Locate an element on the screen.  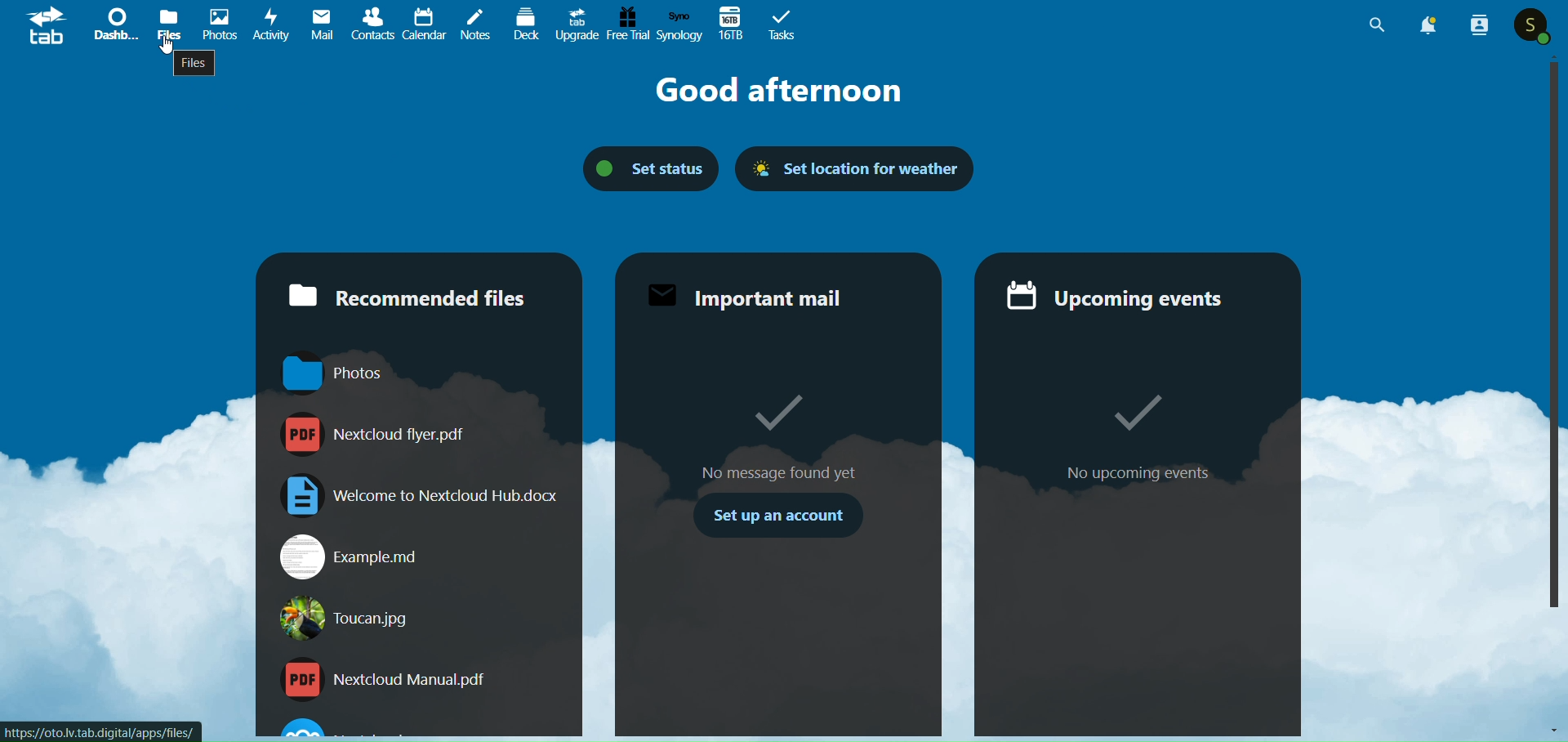
Welcome to Nextcloud Hub.doox is located at coordinates (419, 495).